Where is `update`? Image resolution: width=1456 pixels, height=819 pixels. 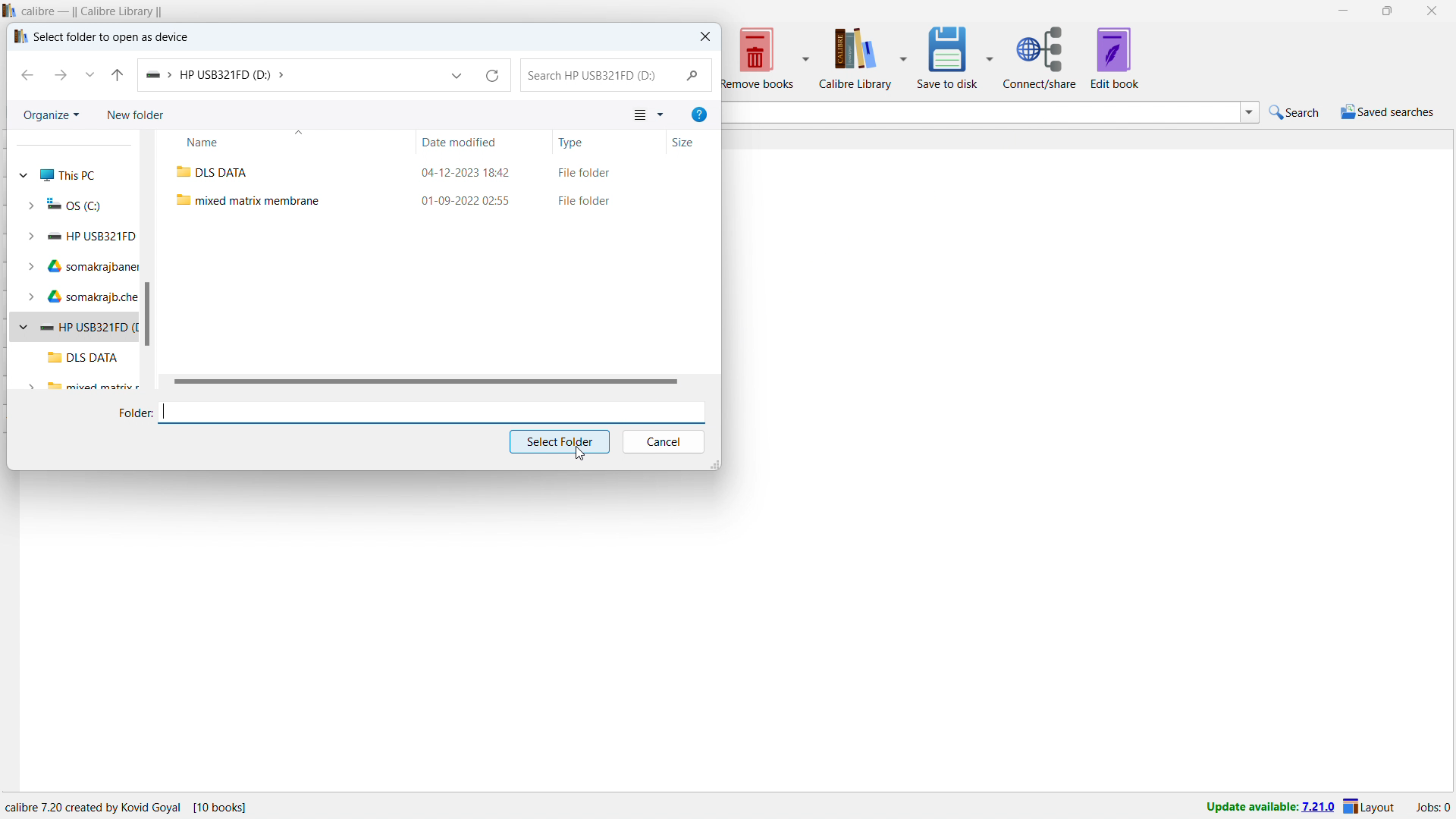 update is located at coordinates (1268, 809).